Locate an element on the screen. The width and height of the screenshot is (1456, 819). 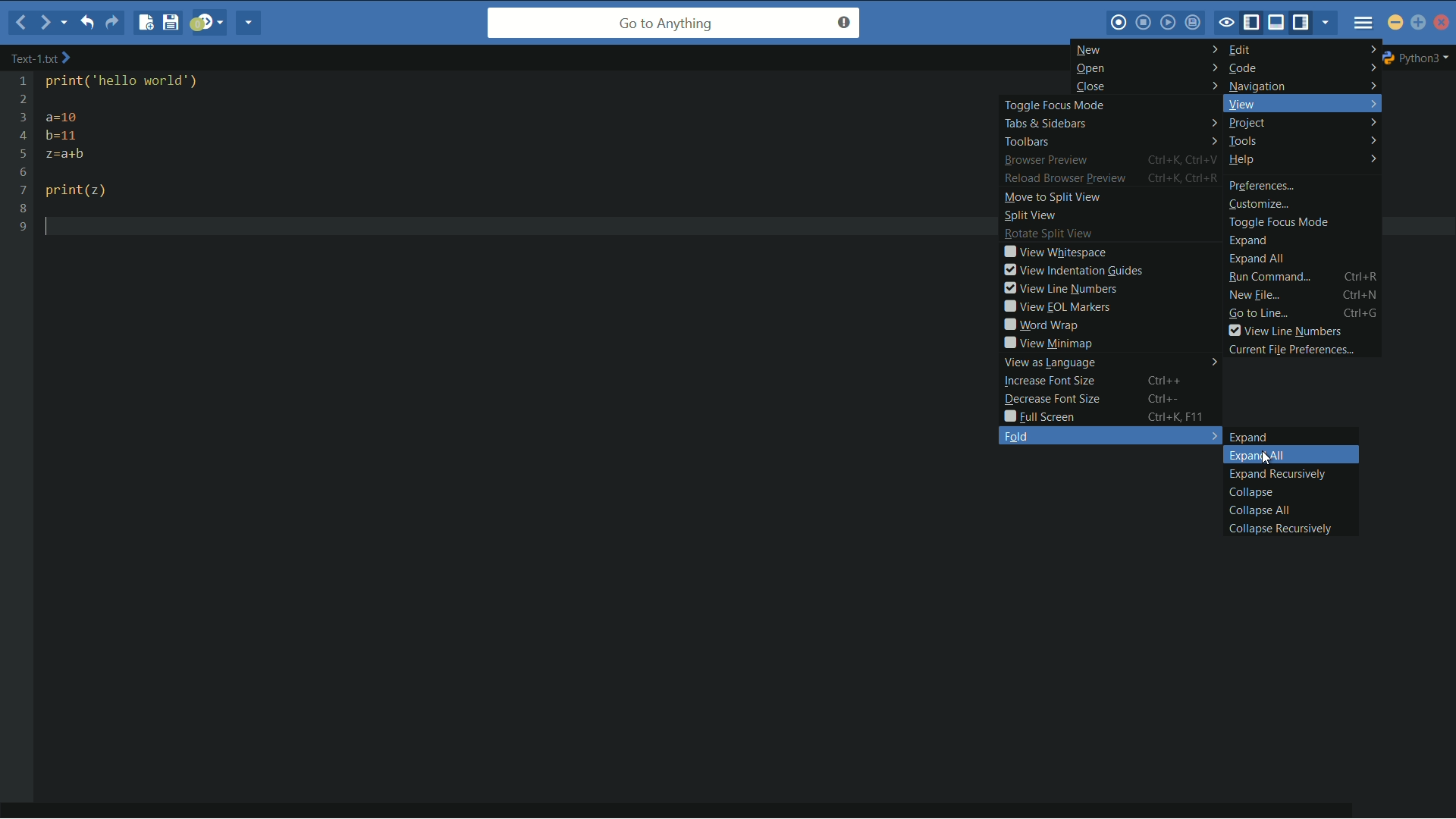
expand recursively is located at coordinates (1276, 475).